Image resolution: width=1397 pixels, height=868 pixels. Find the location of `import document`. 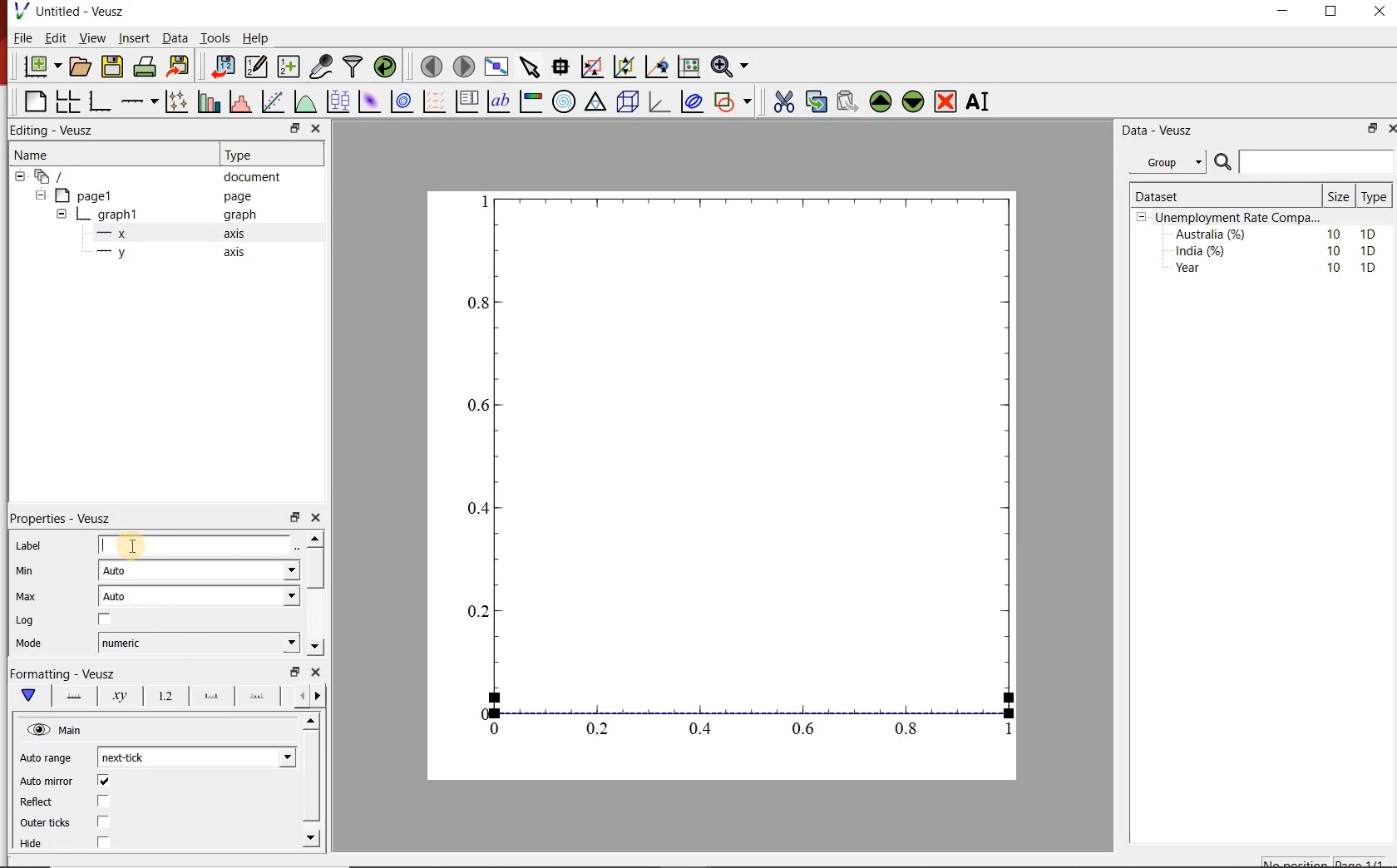

import document is located at coordinates (225, 65).